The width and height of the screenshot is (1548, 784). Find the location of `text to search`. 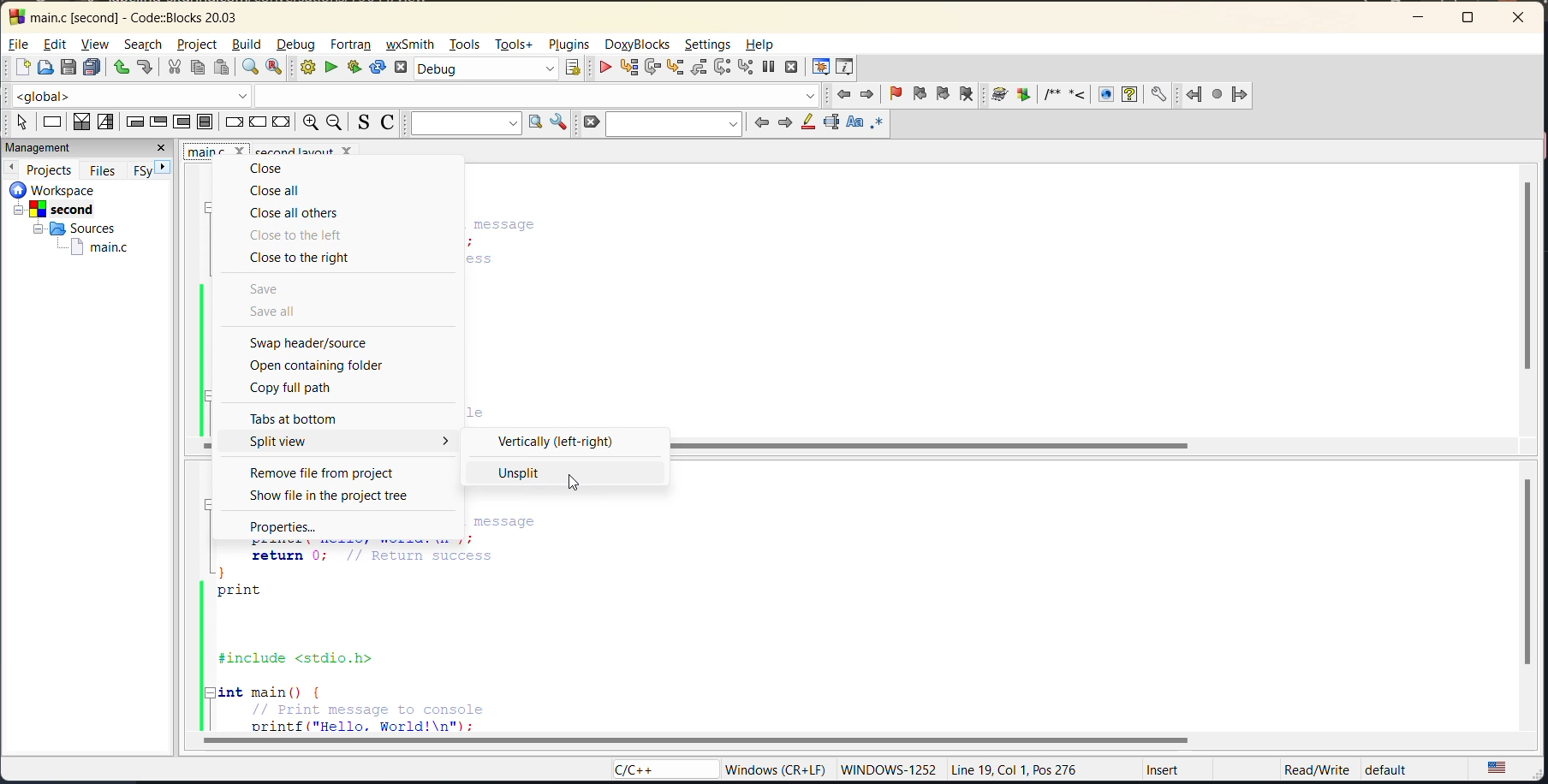

text to search is located at coordinates (466, 124).